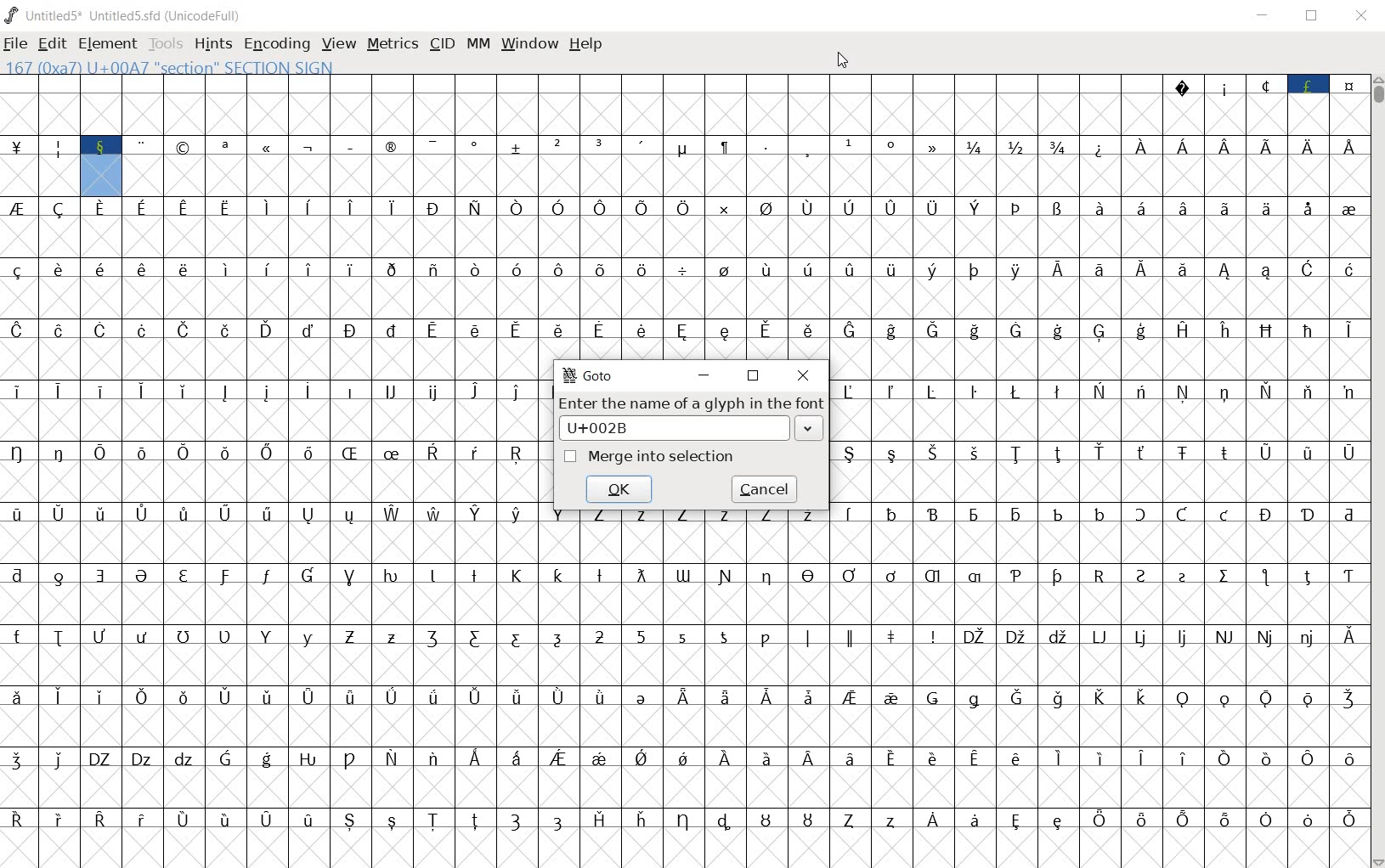 The width and height of the screenshot is (1385, 868). What do you see at coordinates (337, 42) in the screenshot?
I see `view` at bounding box center [337, 42].